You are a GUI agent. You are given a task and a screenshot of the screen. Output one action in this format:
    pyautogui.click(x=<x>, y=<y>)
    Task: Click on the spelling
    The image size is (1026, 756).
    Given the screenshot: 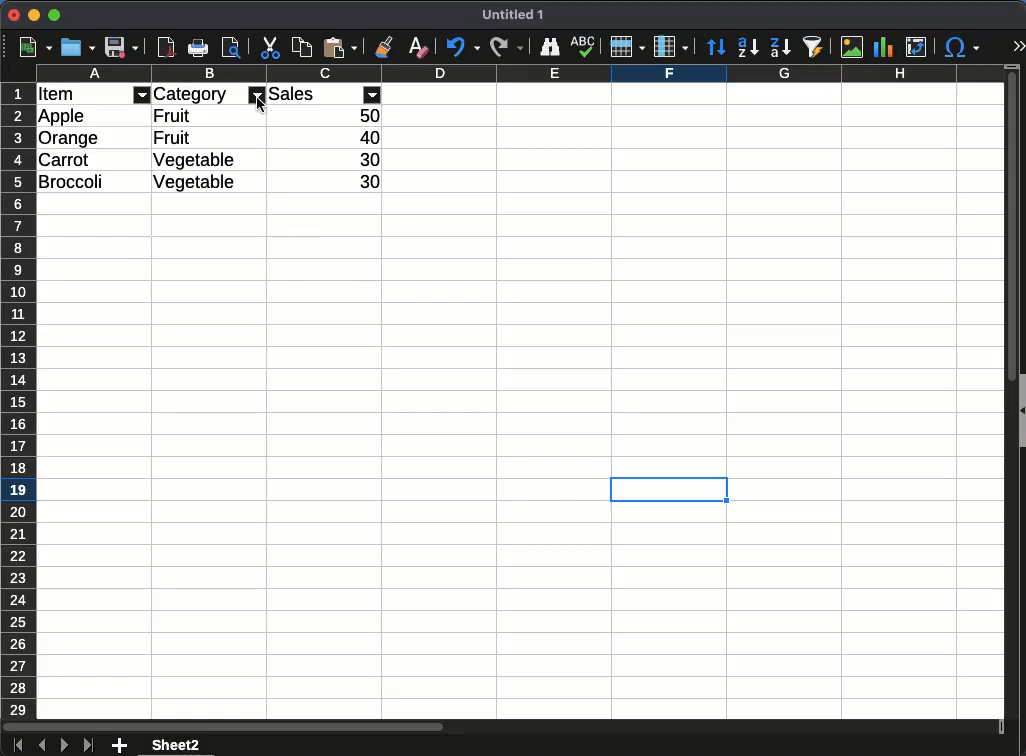 What is the action you would take?
    pyautogui.click(x=584, y=47)
    